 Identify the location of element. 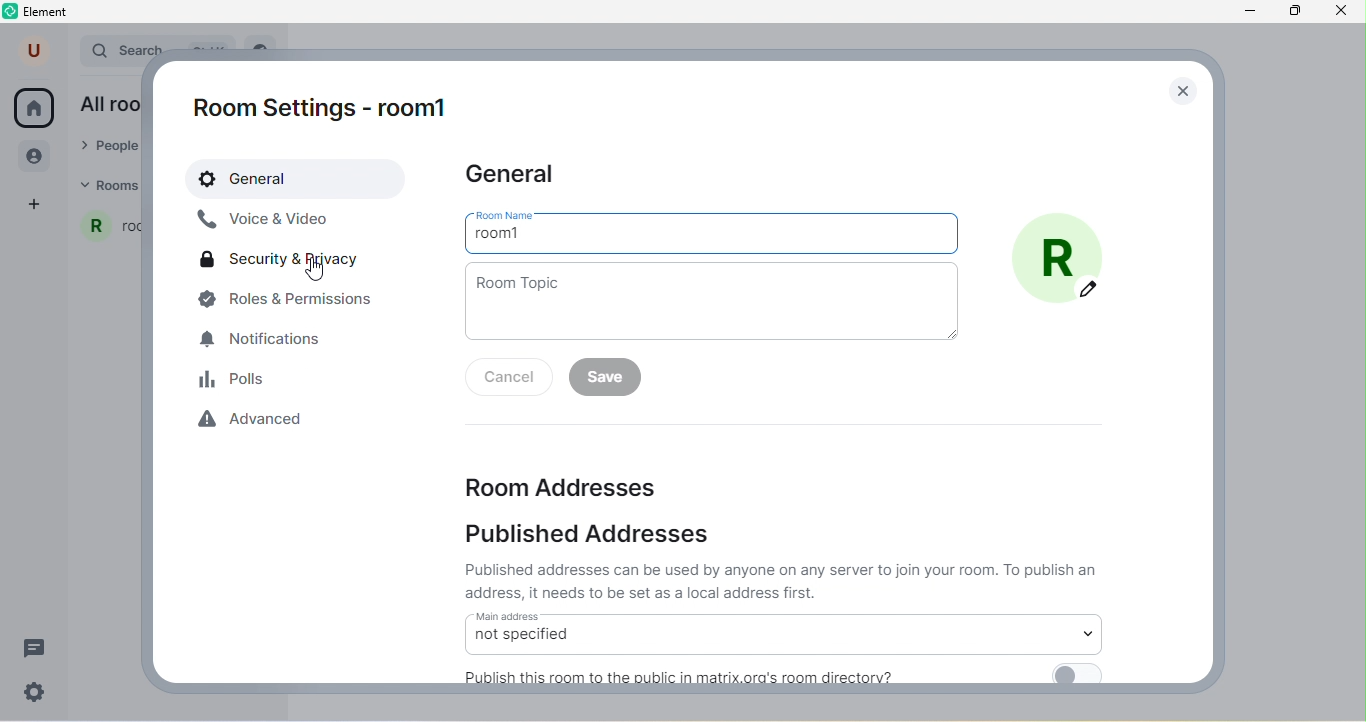
(39, 13).